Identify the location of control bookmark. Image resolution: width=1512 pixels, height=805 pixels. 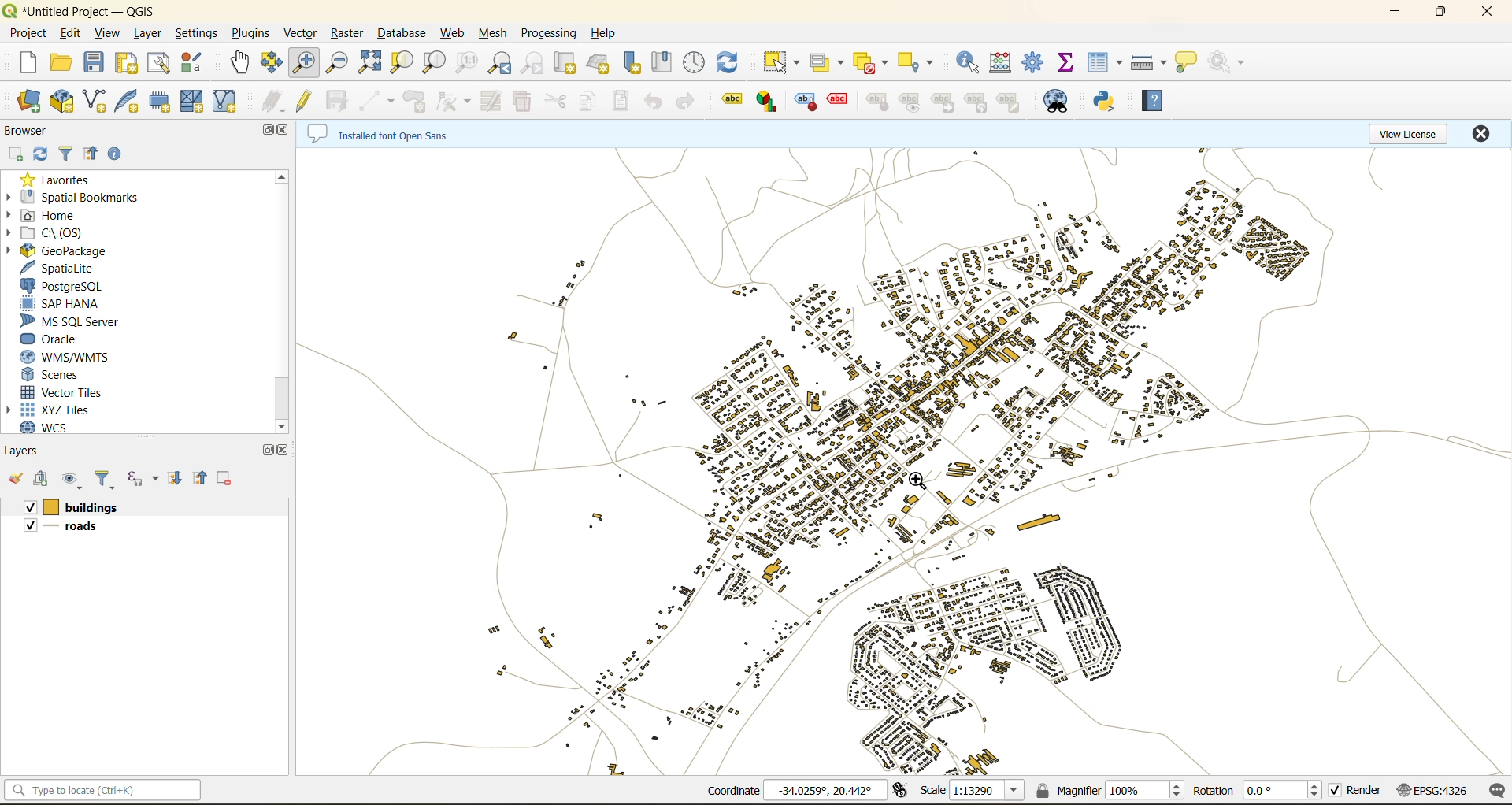
(693, 62).